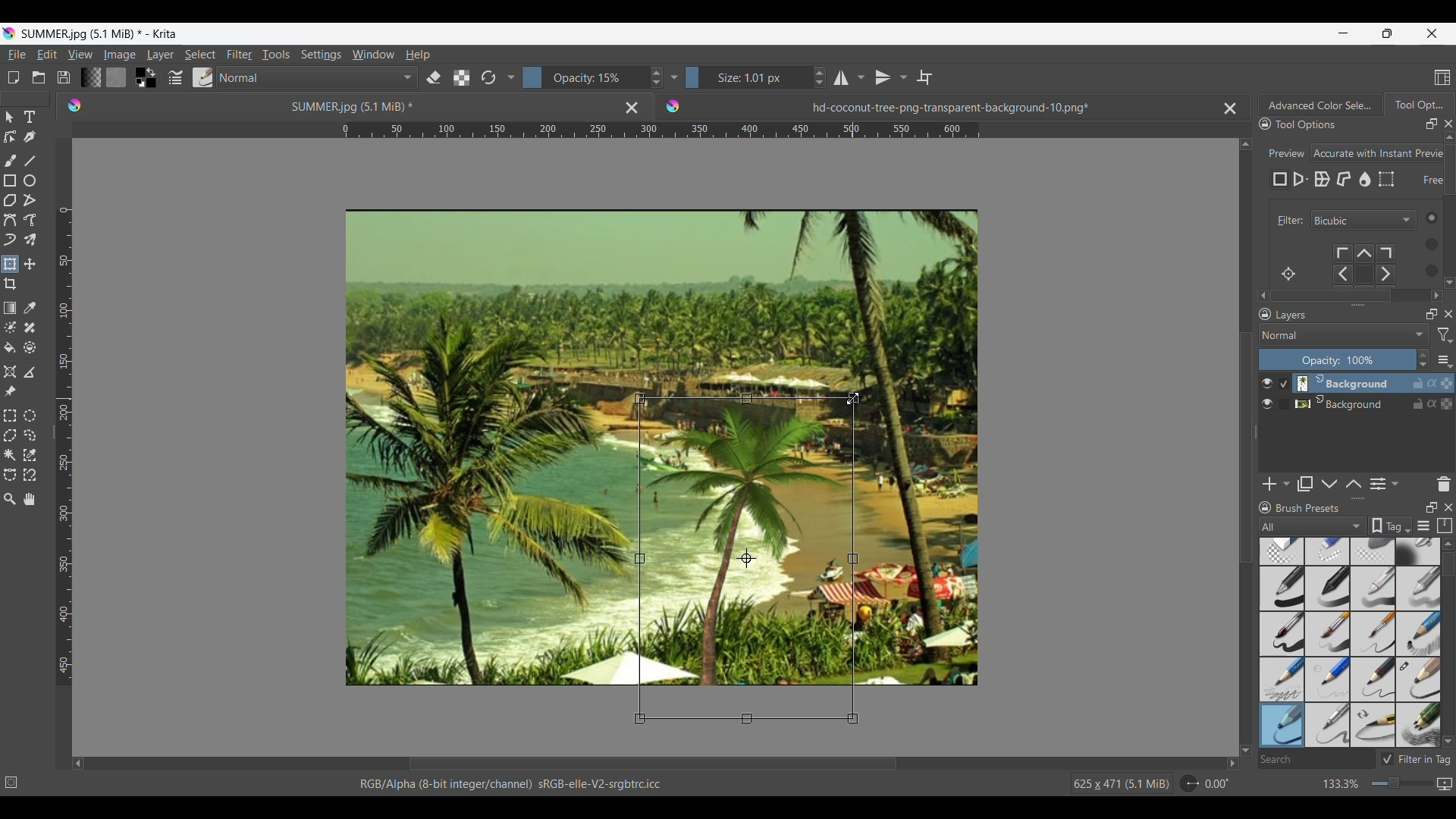 The height and width of the screenshot is (819, 1456). What do you see at coordinates (1448, 314) in the screenshot?
I see `Close layers panel` at bounding box center [1448, 314].